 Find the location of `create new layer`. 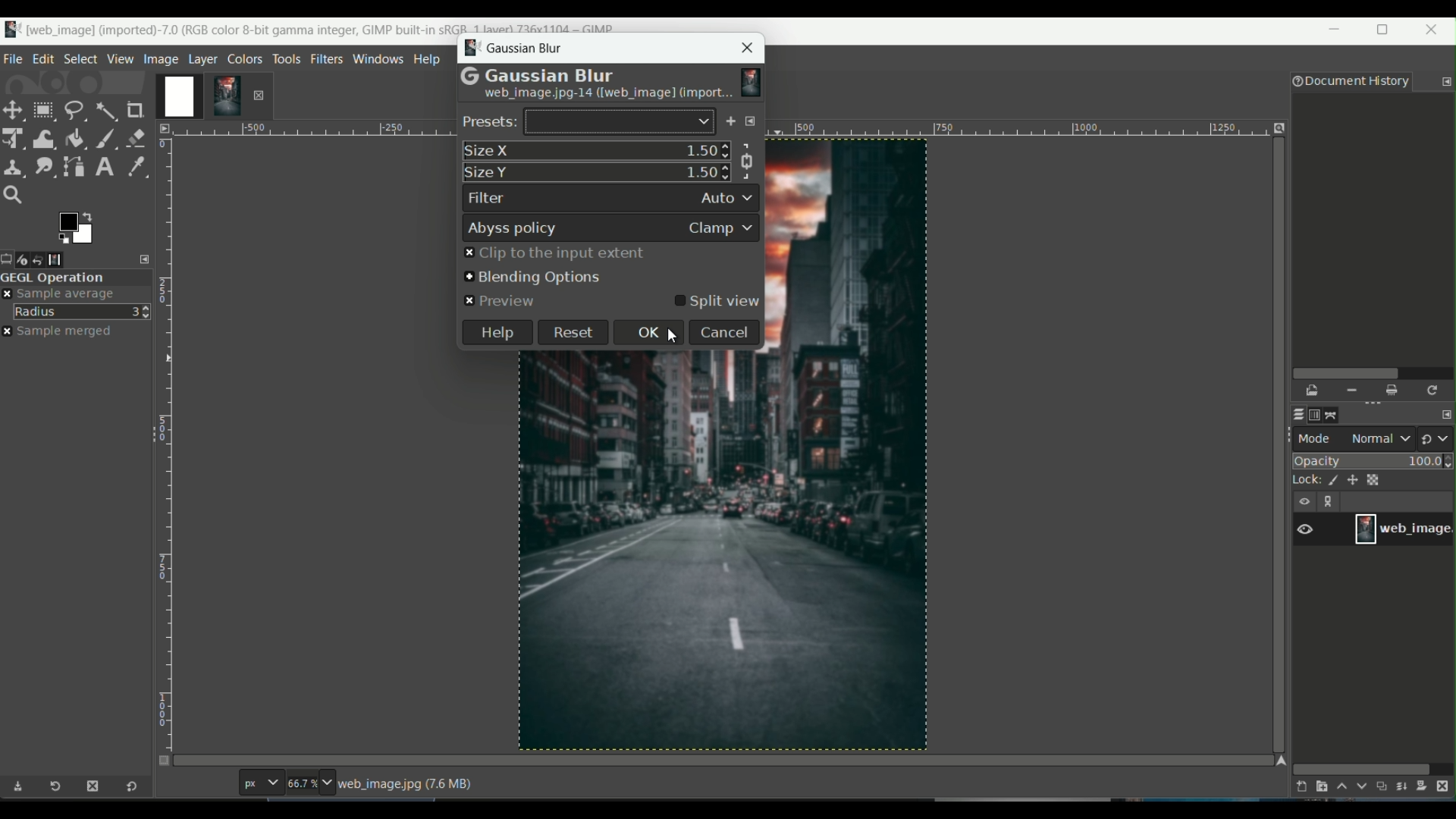

create new layer is located at coordinates (1298, 786).